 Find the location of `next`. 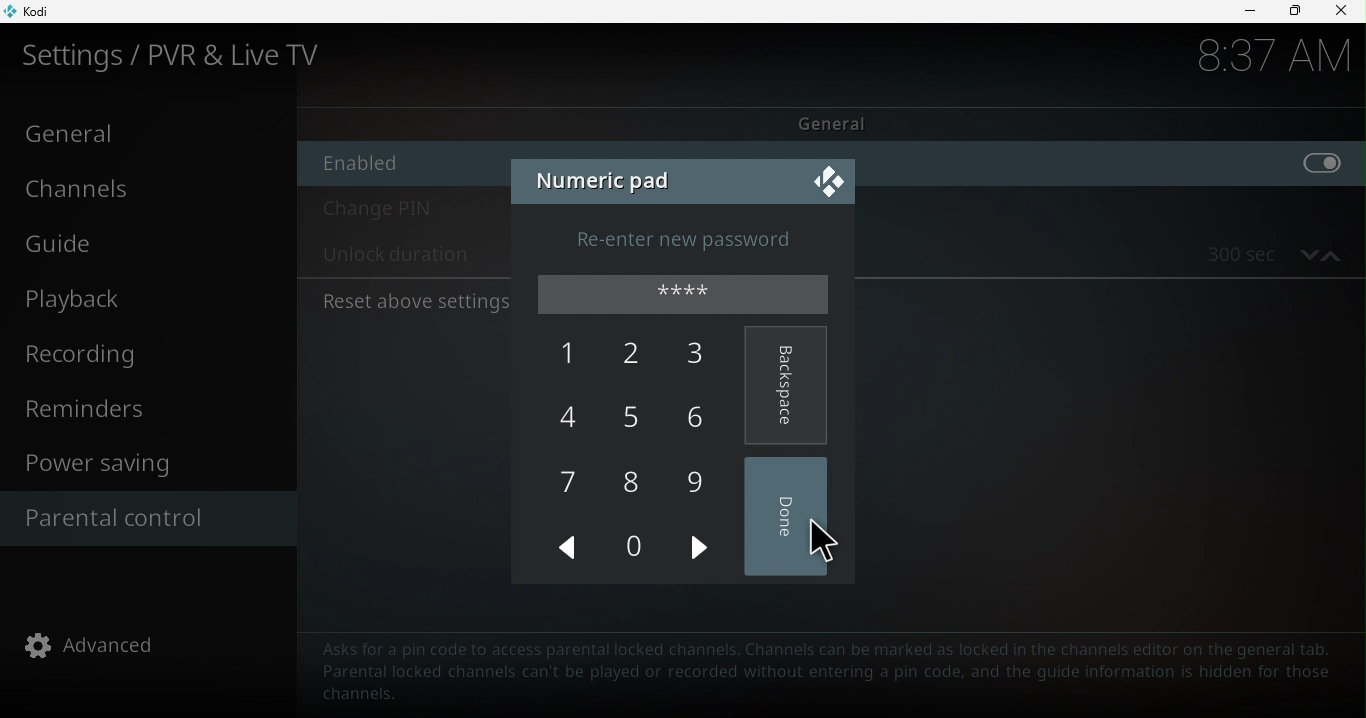

next is located at coordinates (701, 545).